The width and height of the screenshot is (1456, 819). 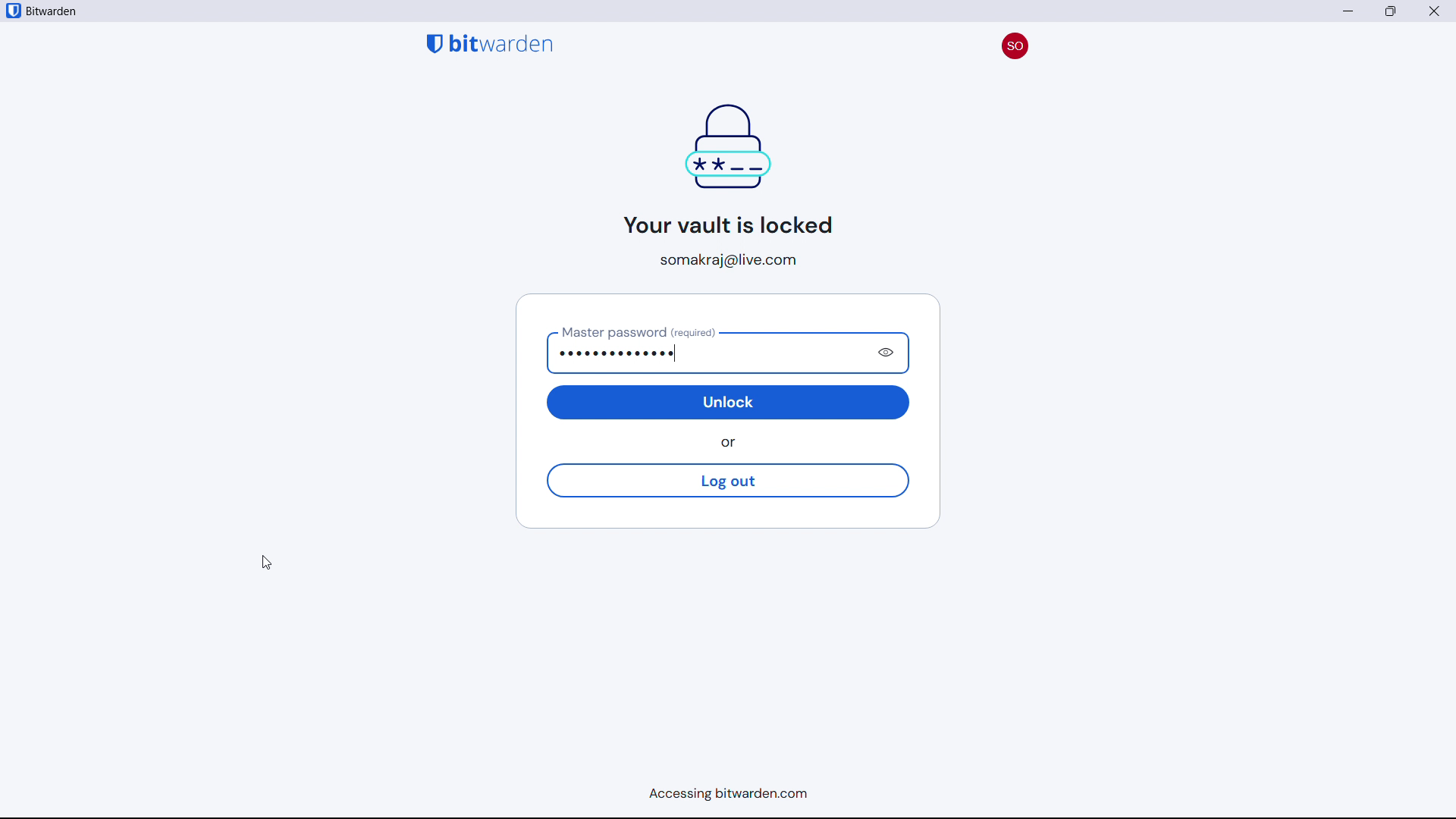 I want to click on or, so click(x=733, y=443).